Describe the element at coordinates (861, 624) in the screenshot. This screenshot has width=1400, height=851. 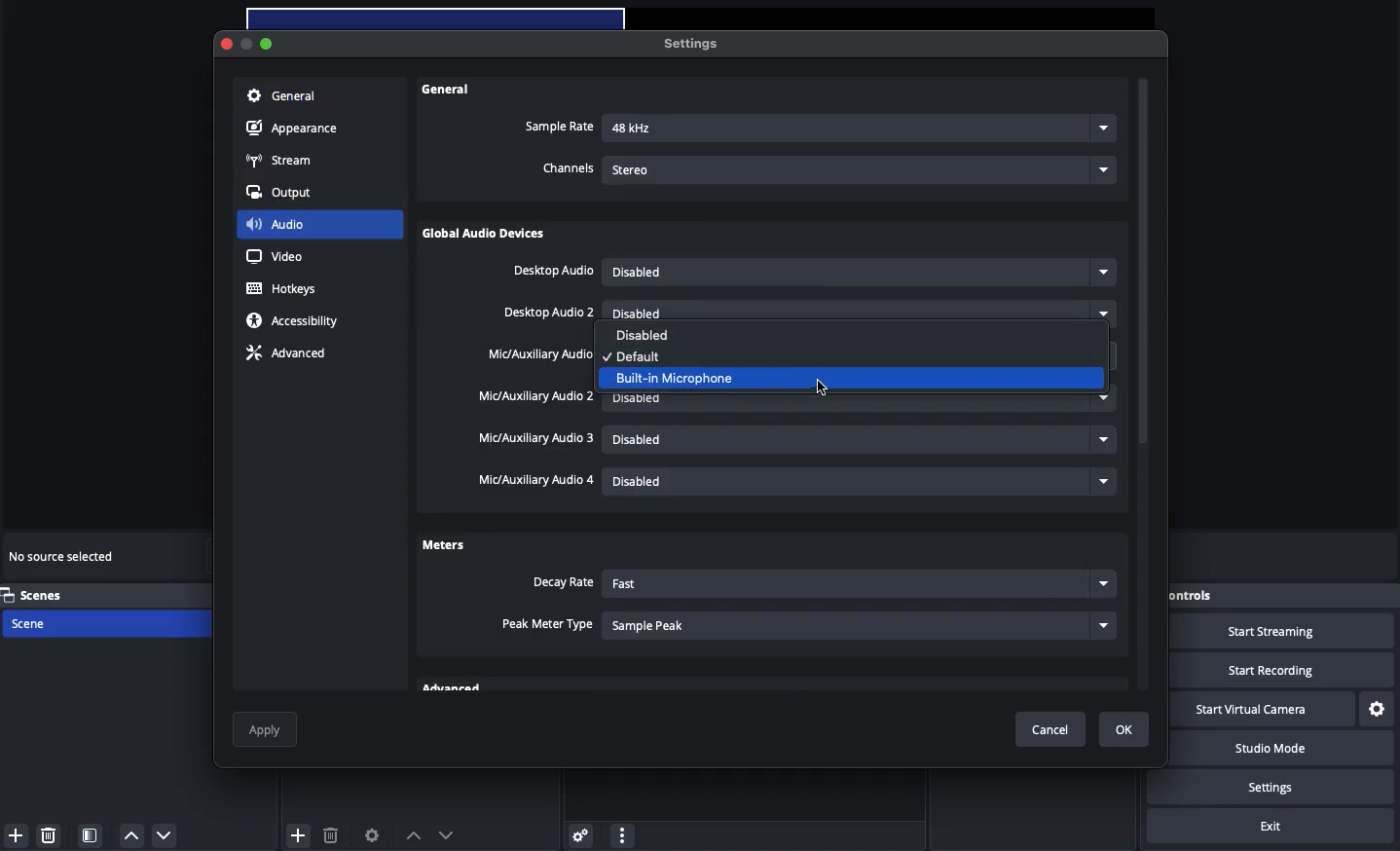
I see `Sample Peak` at that location.